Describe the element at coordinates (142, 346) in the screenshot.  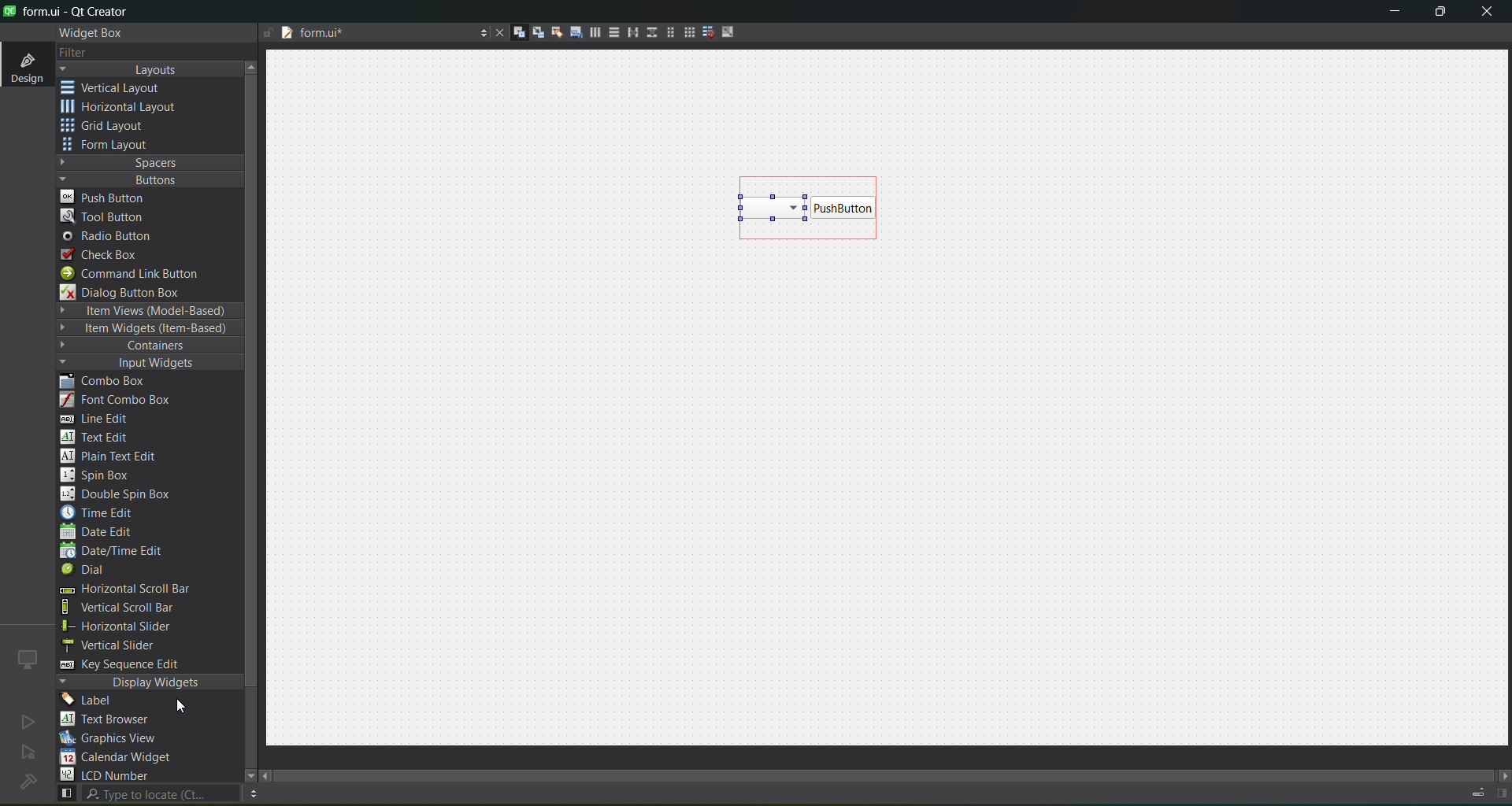
I see `containers` at that location.